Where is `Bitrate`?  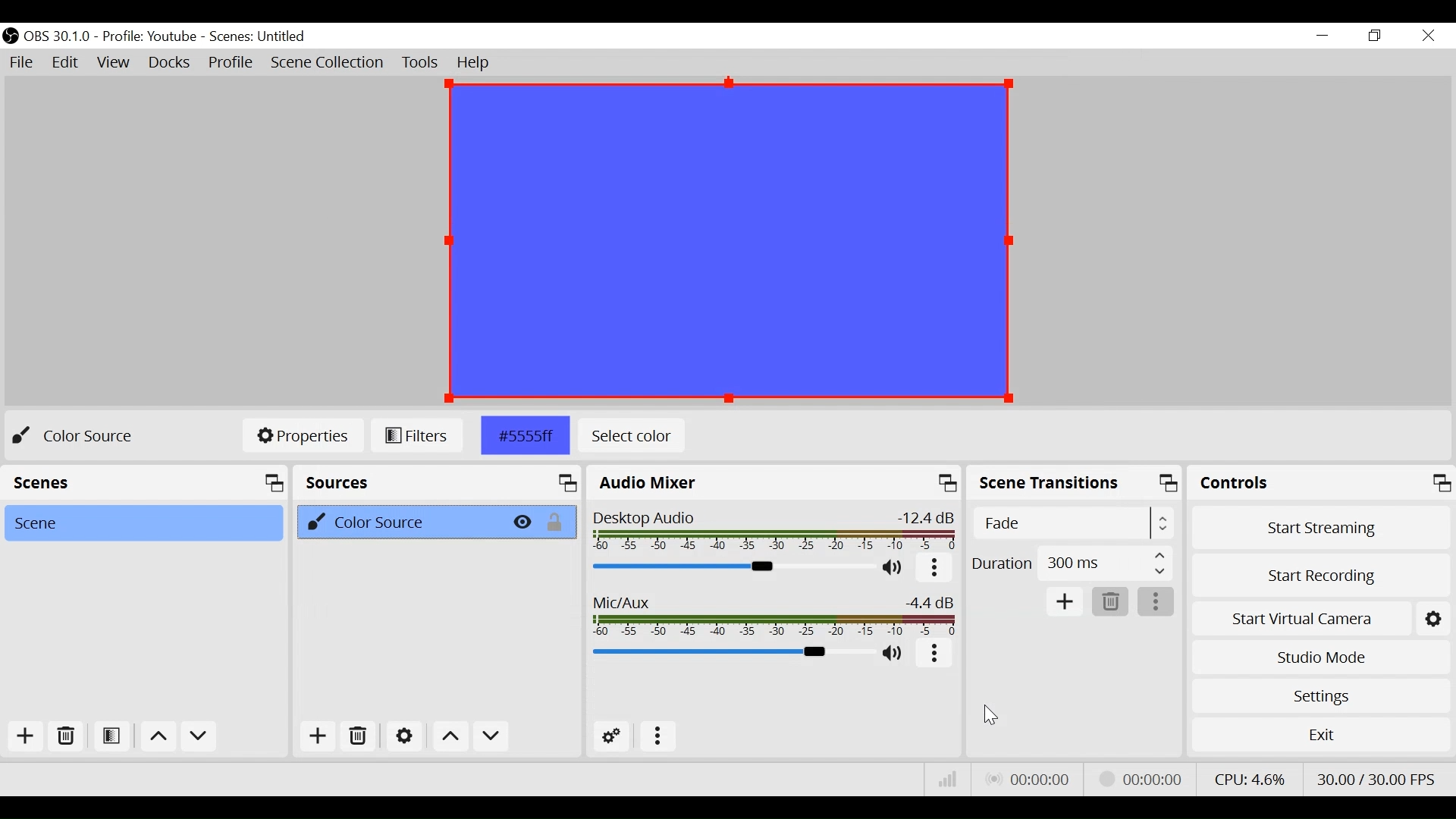
Bitrate is located at coordinates (945, 780).